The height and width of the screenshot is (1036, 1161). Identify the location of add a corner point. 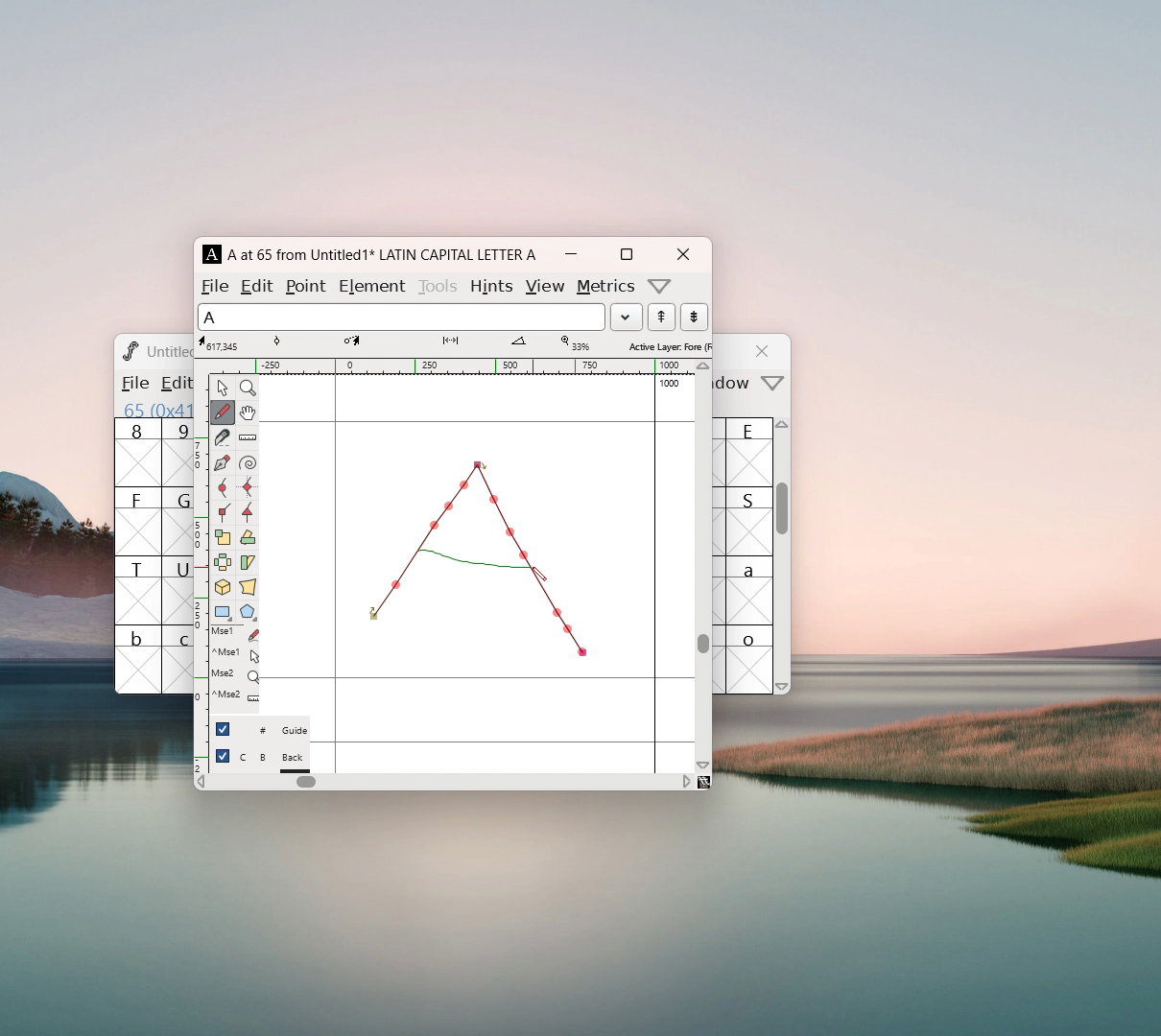
(222, 511).